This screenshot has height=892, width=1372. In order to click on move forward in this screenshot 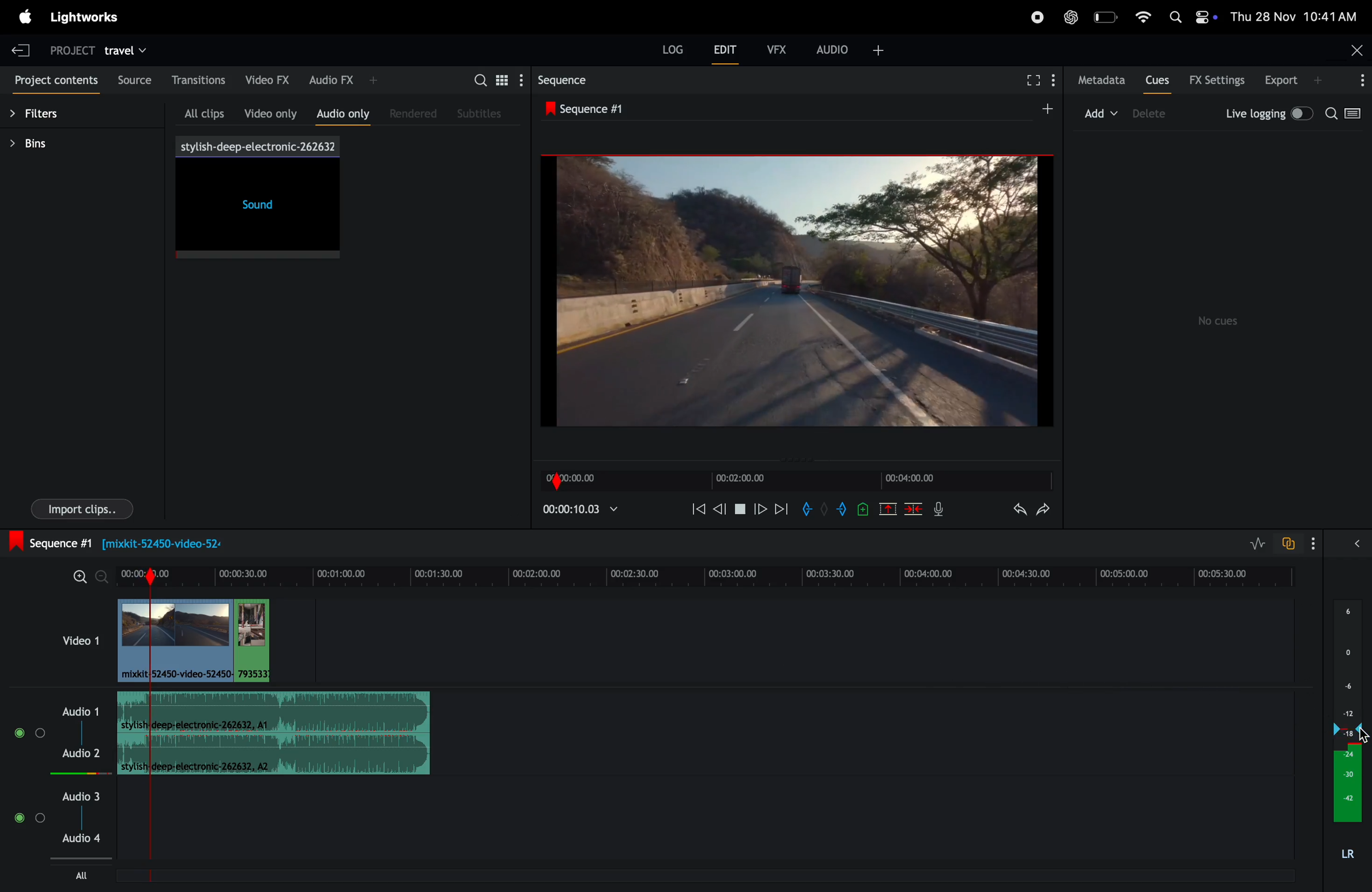, I will do `click(782, 508)`.